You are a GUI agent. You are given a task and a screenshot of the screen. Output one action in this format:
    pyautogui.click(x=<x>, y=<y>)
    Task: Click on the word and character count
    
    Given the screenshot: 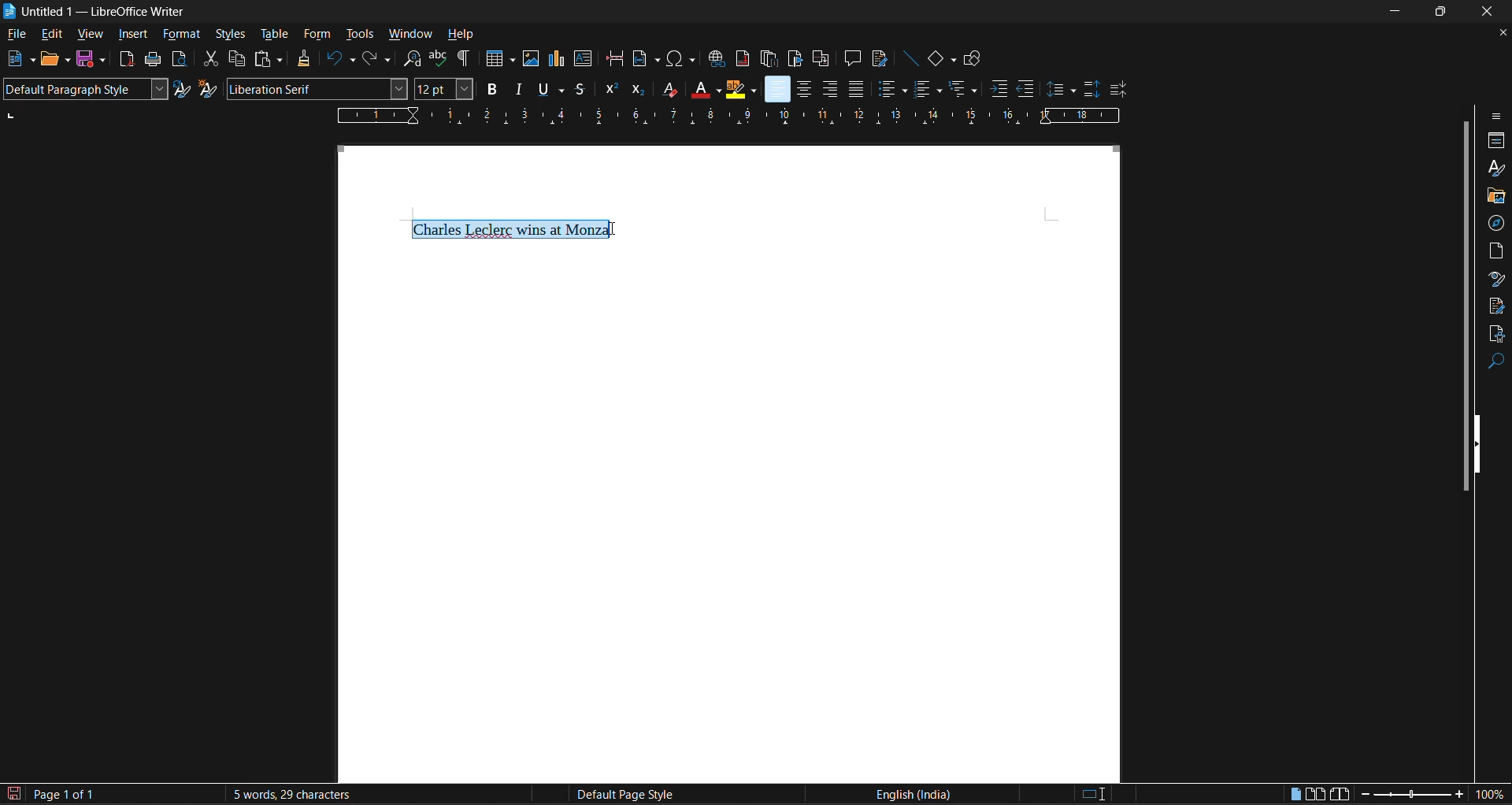 What is the action you would take?
    pyautogui.click(x=290, y=794)
    